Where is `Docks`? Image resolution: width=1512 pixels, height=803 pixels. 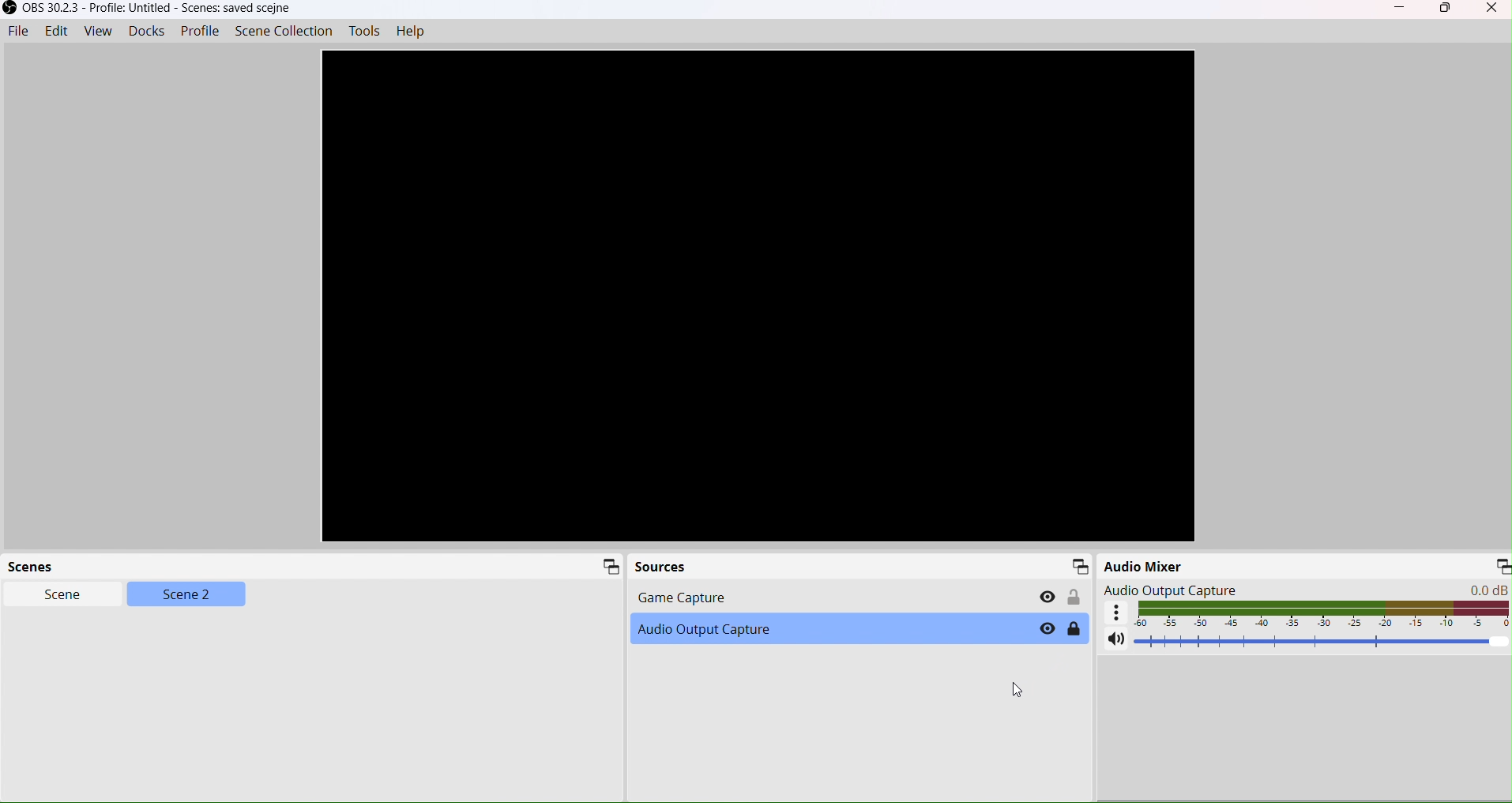 Docks is located at coordinates (146, 34).